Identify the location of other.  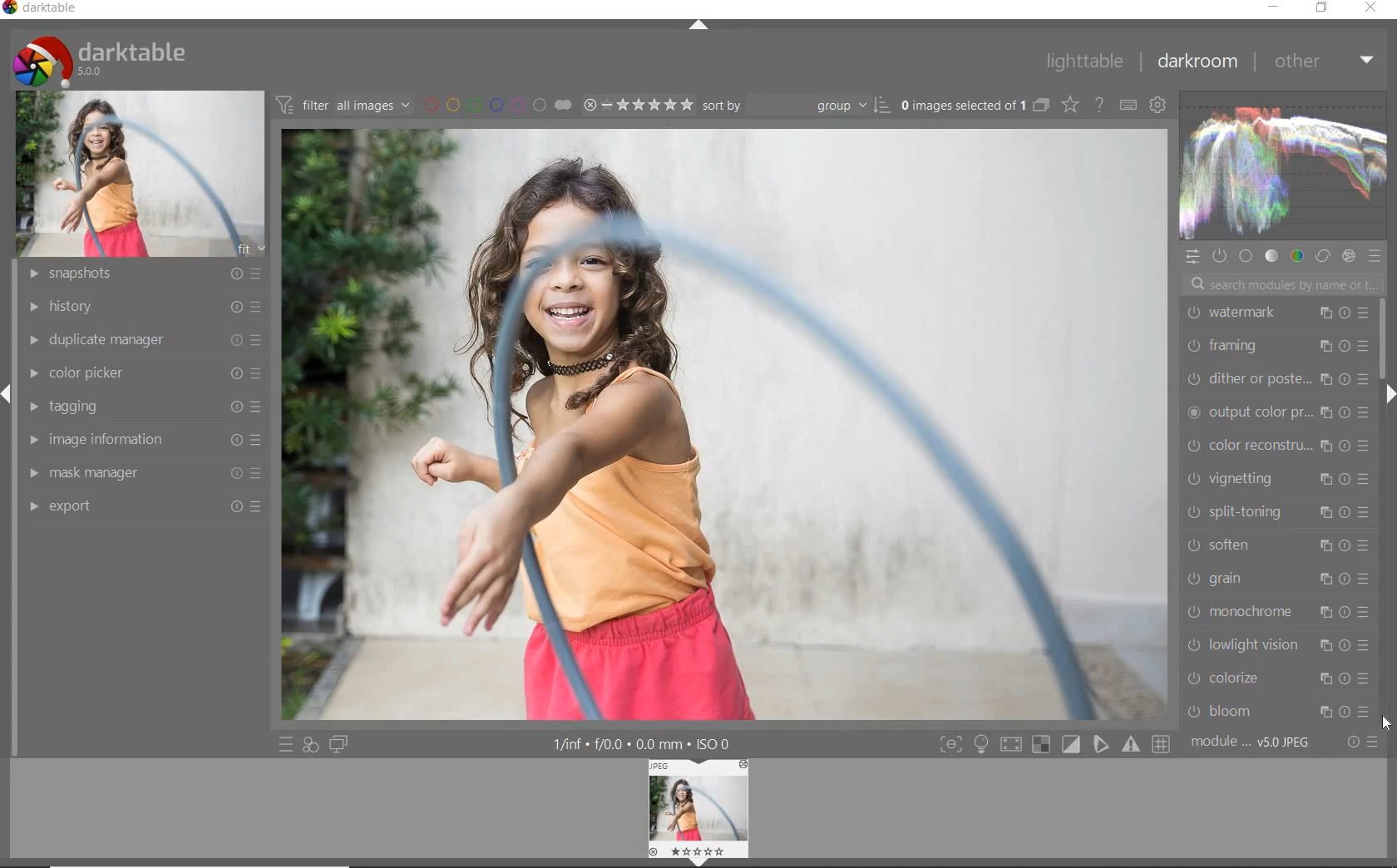
(1324, 61).